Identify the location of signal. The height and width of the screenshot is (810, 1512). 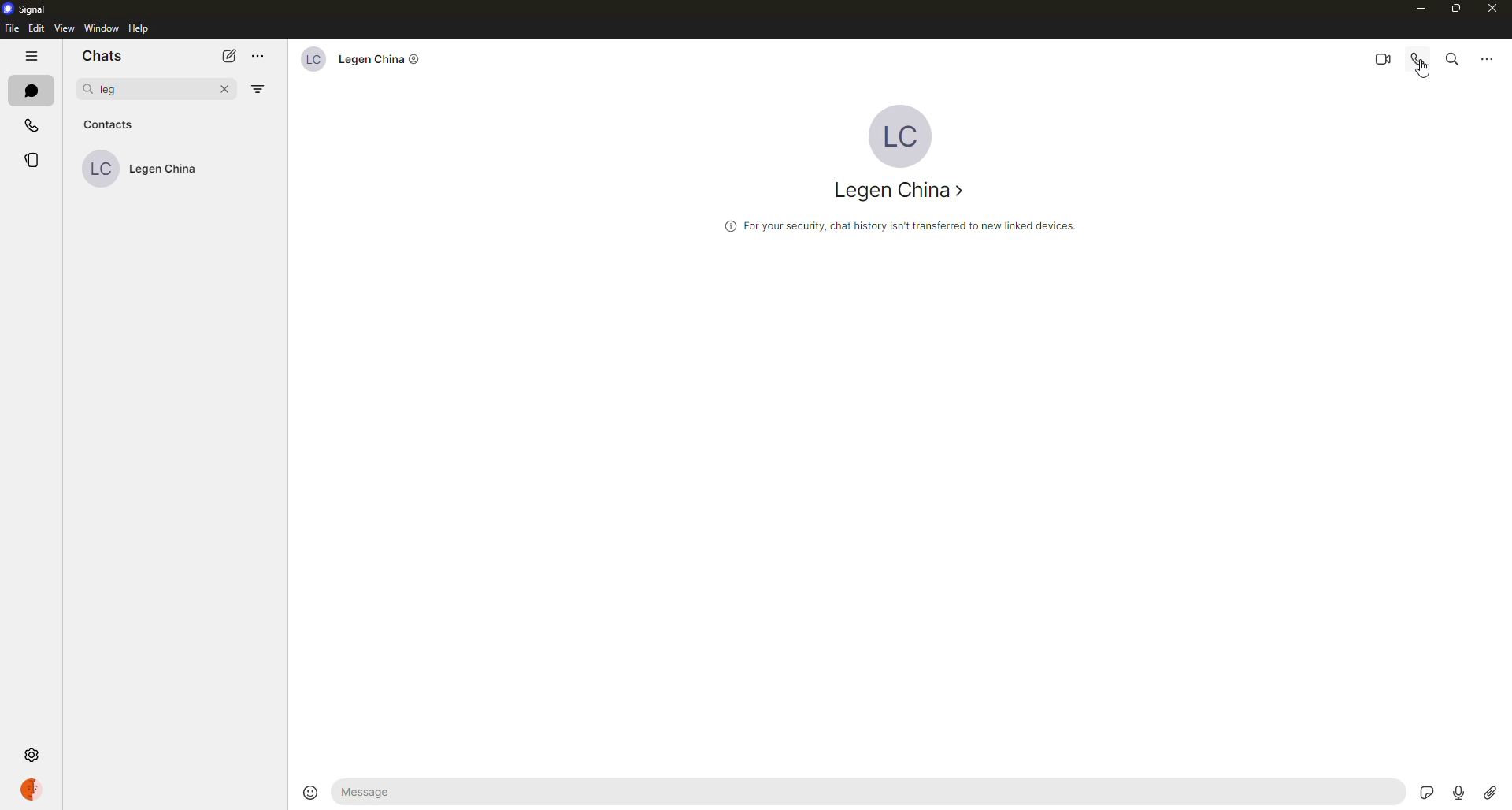
(31, 9).